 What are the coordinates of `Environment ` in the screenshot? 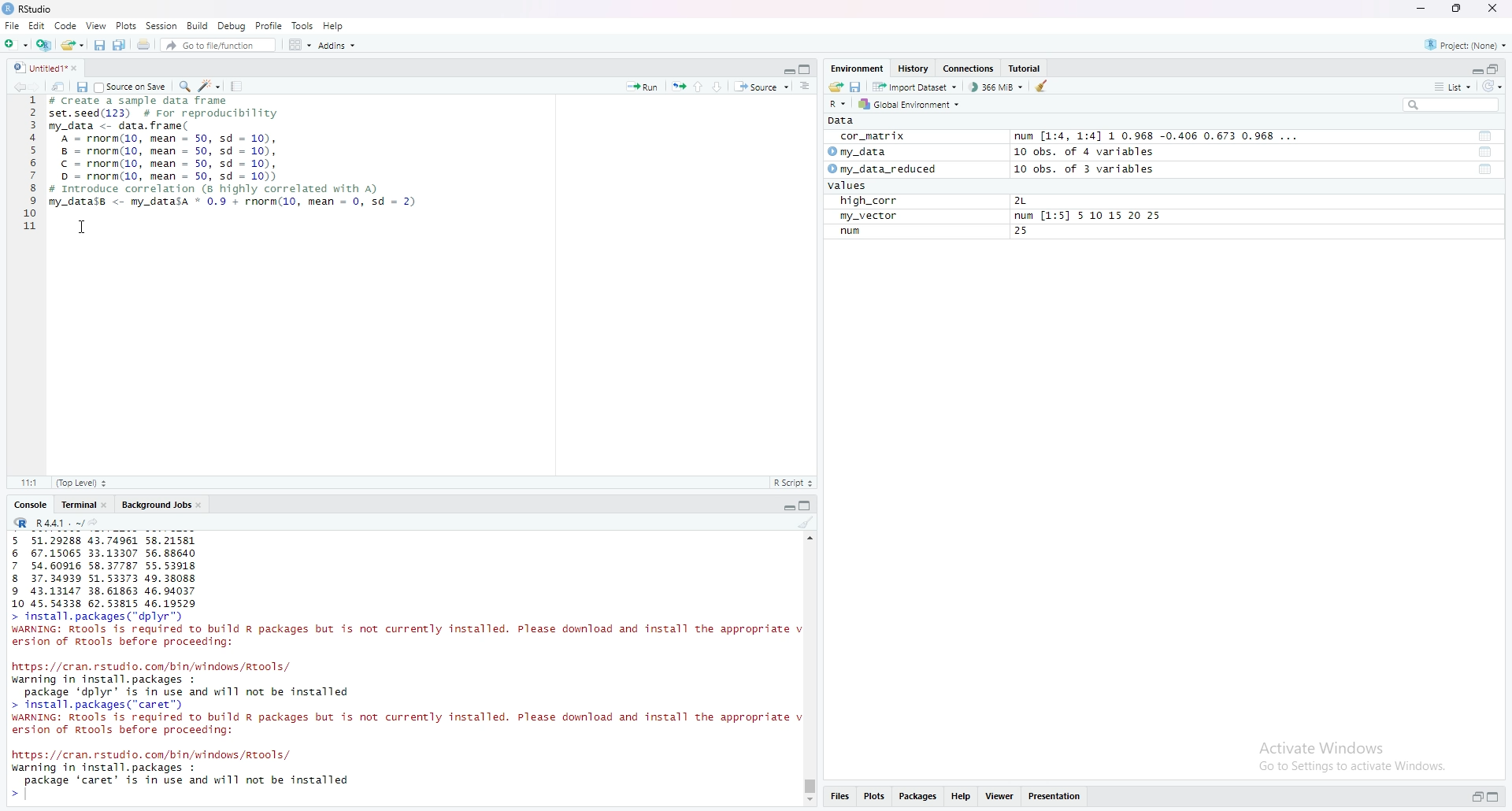 It's located at (858, 68).